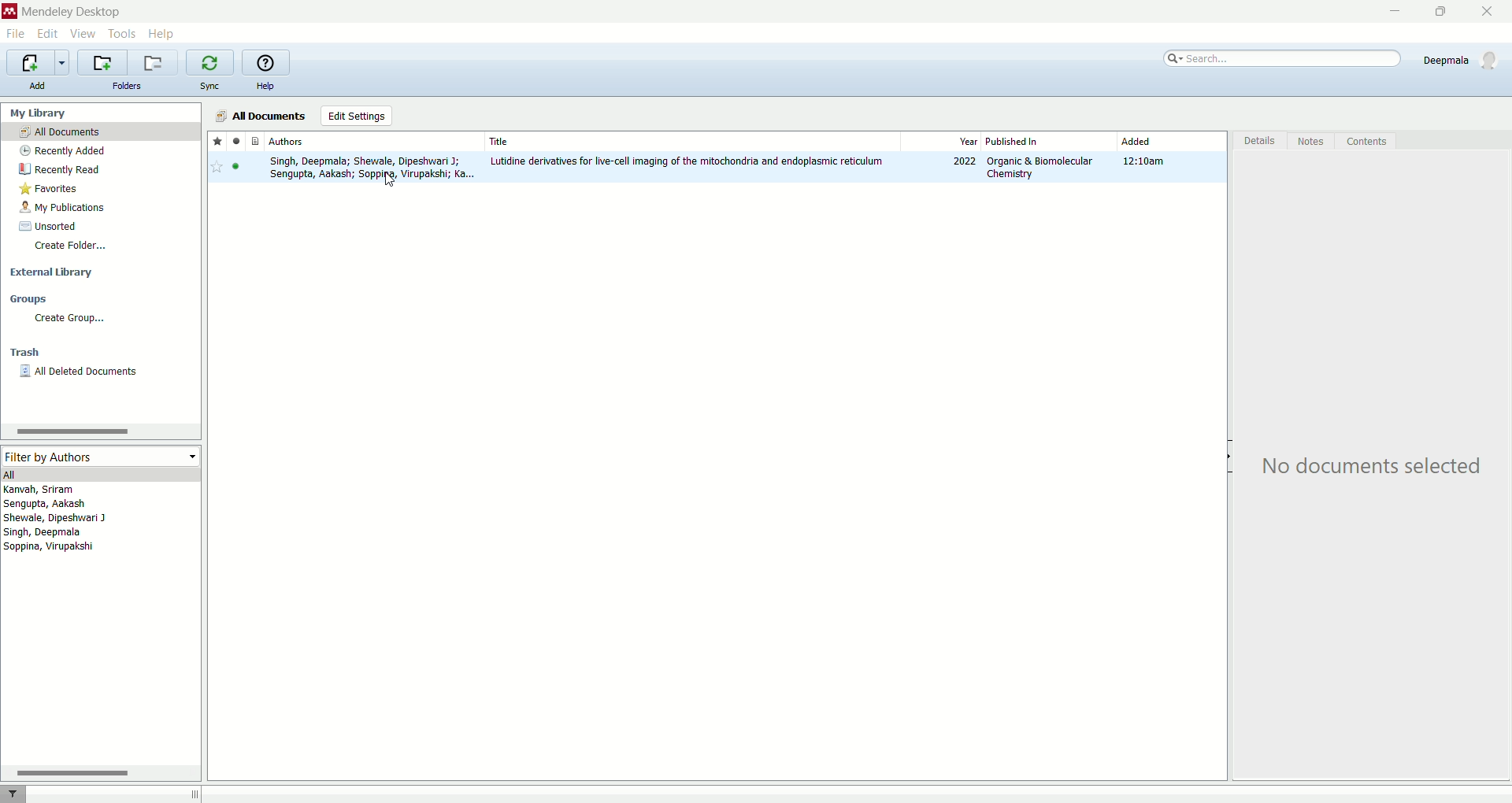 Image resolution: width=1512 pixels, height=803 pixels. Describe the element at coordinates (1371, 140) in the screenshot. I see `contents` at that location.